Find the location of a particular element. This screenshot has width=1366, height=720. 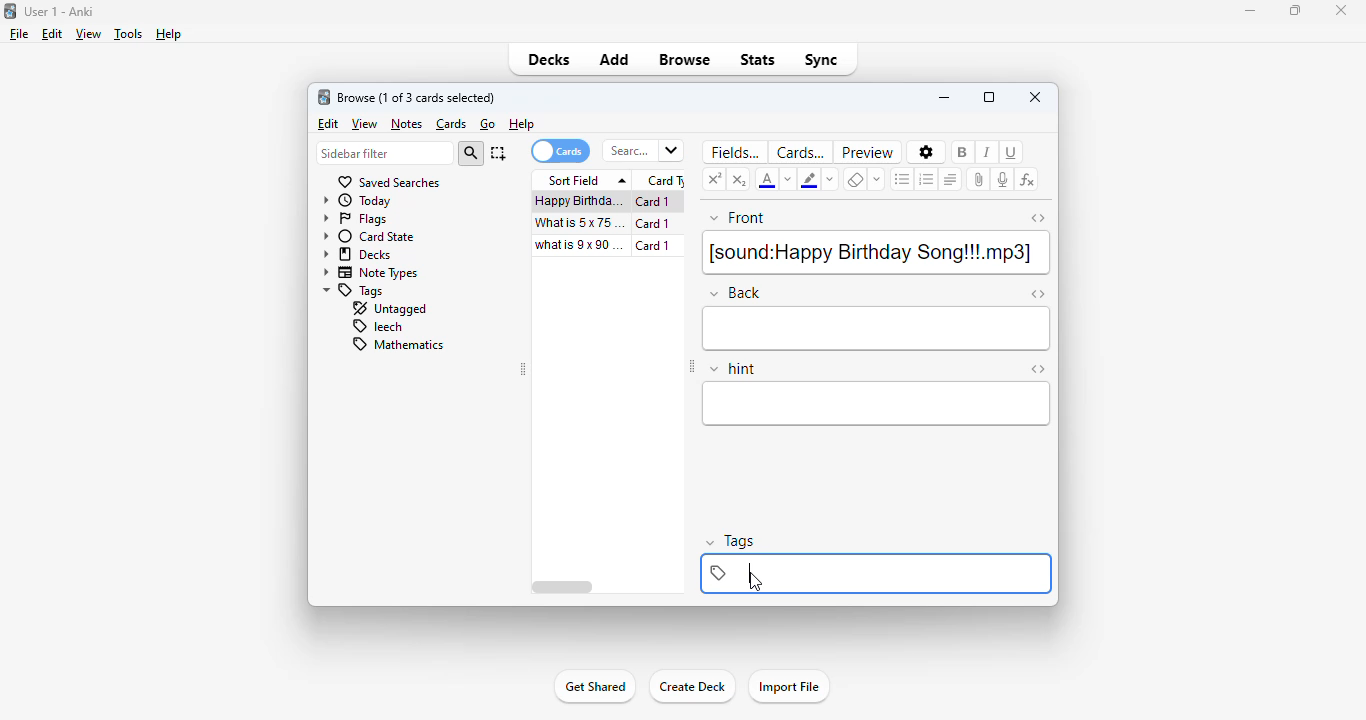

decks is located at coordinates (551, 60).